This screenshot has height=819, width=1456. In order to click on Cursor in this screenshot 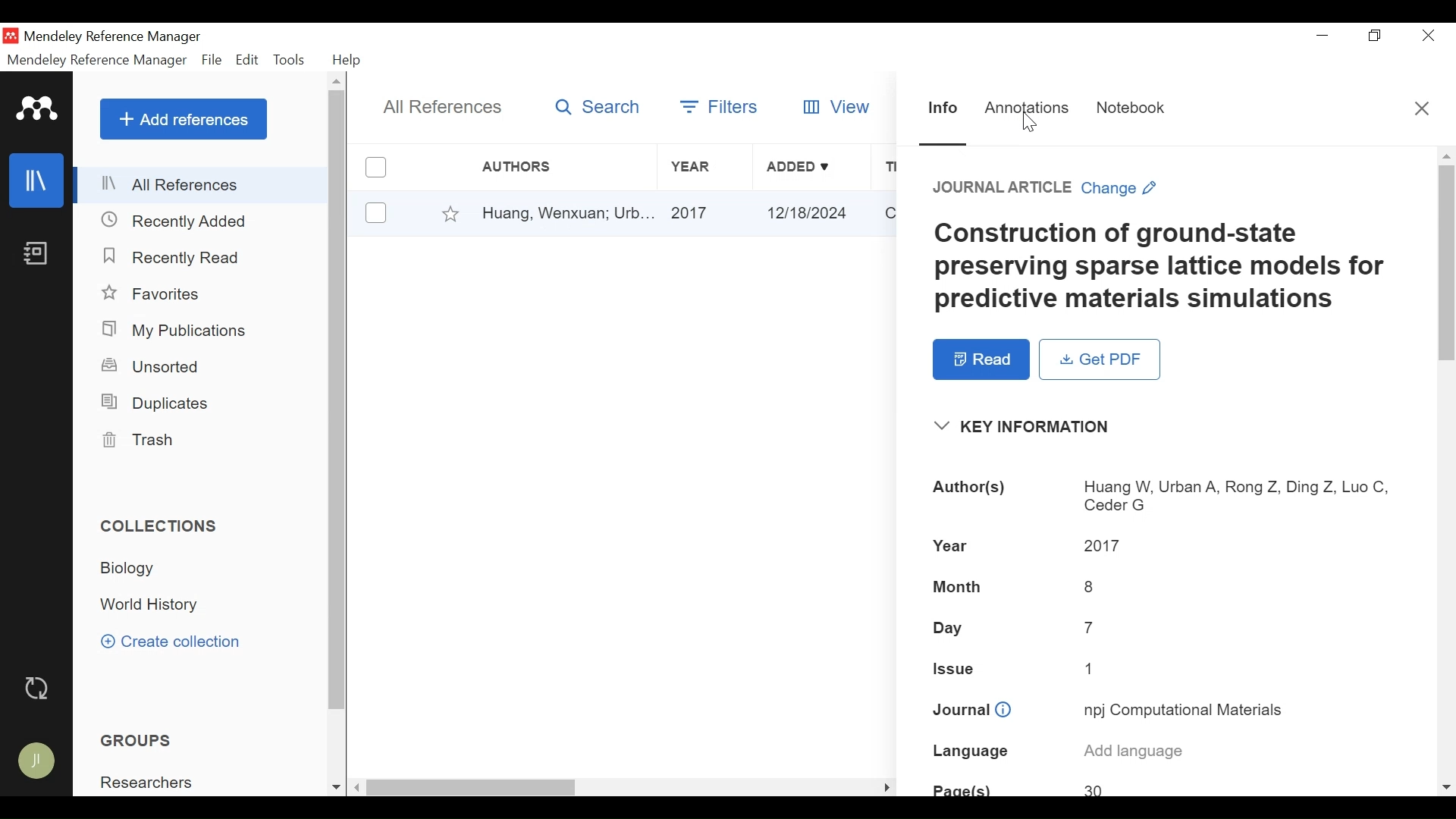, I will do `click(1031, 122)`.